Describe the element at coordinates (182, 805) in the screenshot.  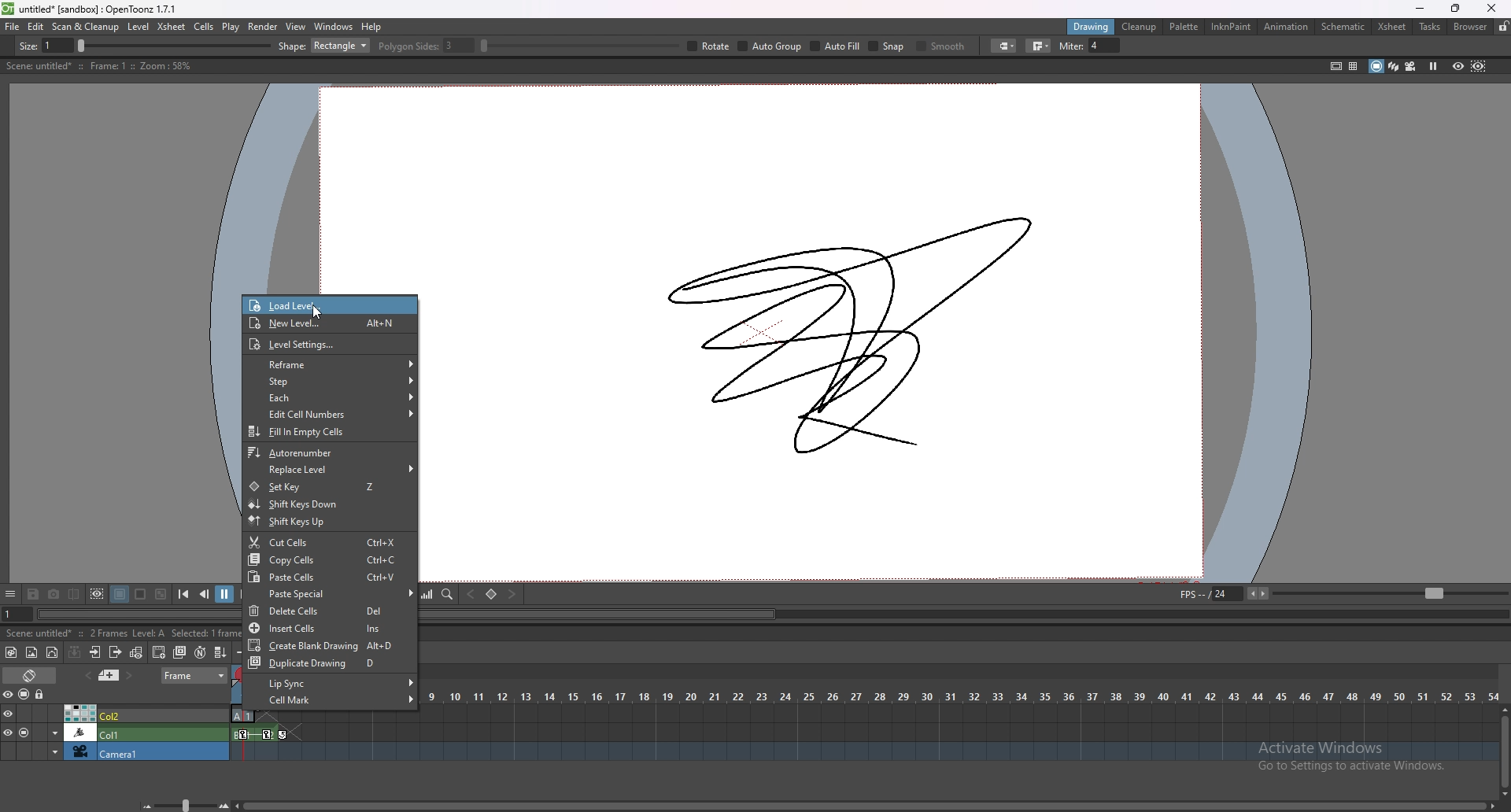
I see `zoom` at that location.